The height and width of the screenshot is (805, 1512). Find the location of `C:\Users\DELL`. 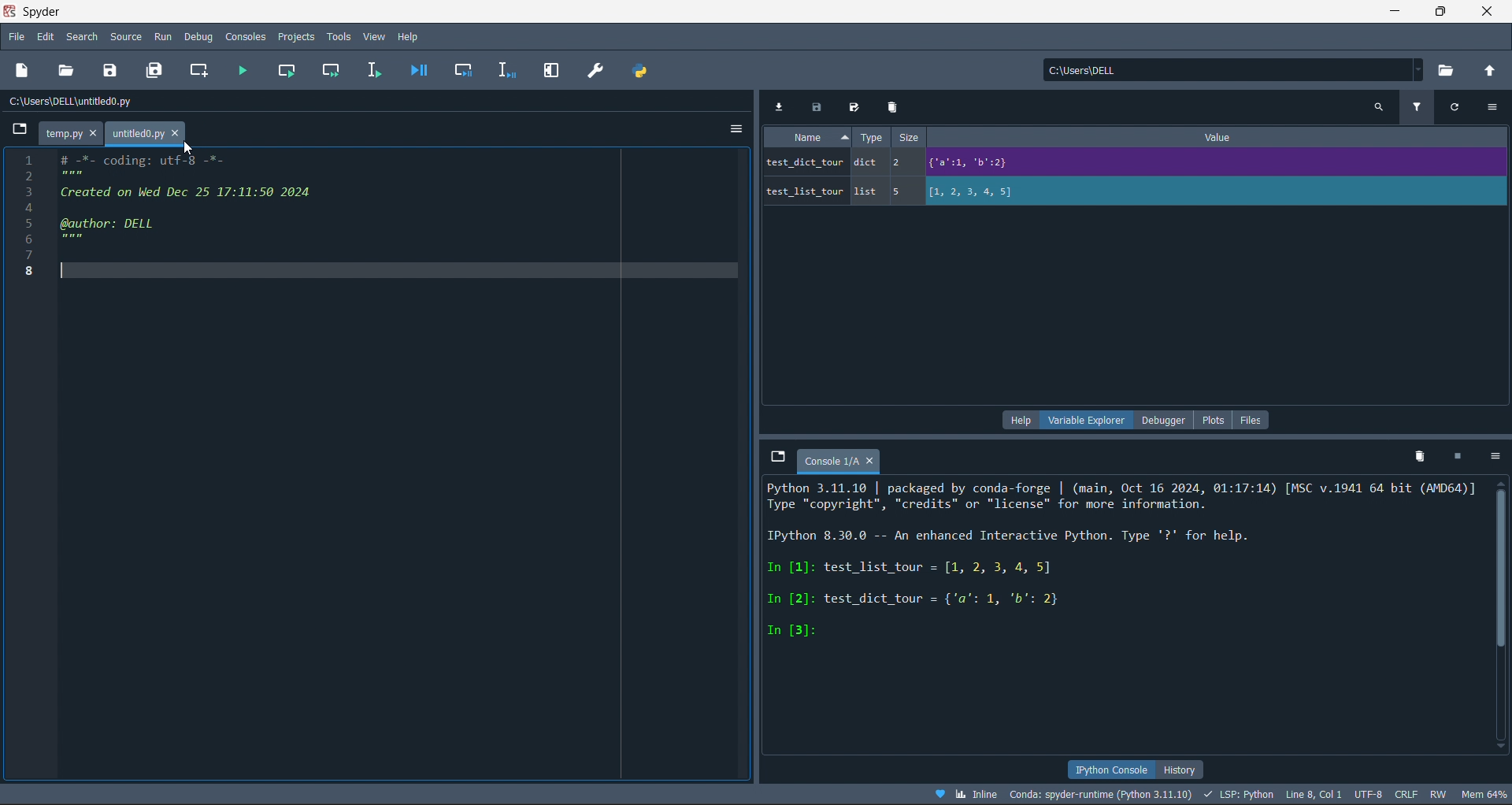

C:\Users\DELL is located at coordinates (1090, 73).